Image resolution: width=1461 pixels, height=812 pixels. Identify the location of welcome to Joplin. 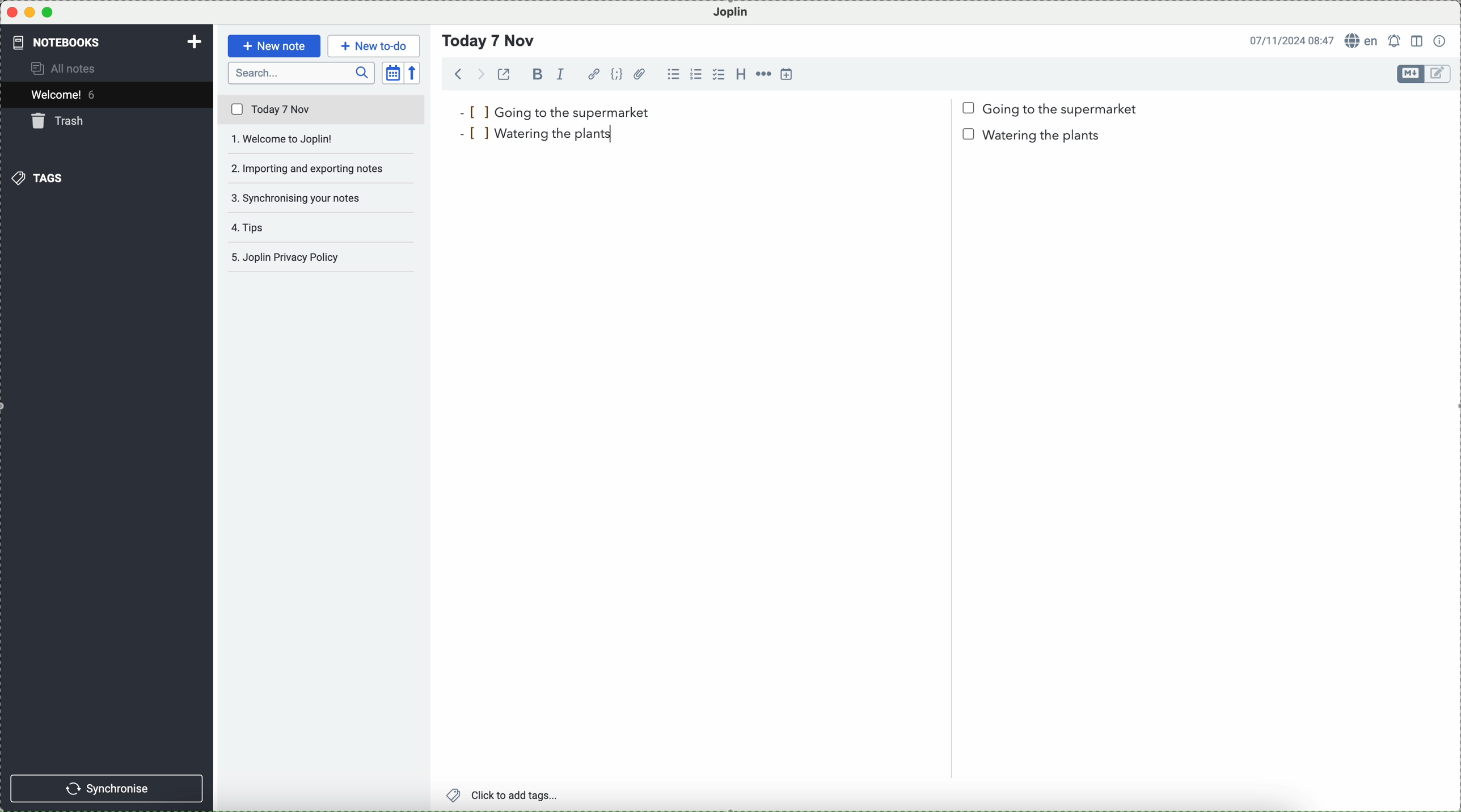
(321, 139).